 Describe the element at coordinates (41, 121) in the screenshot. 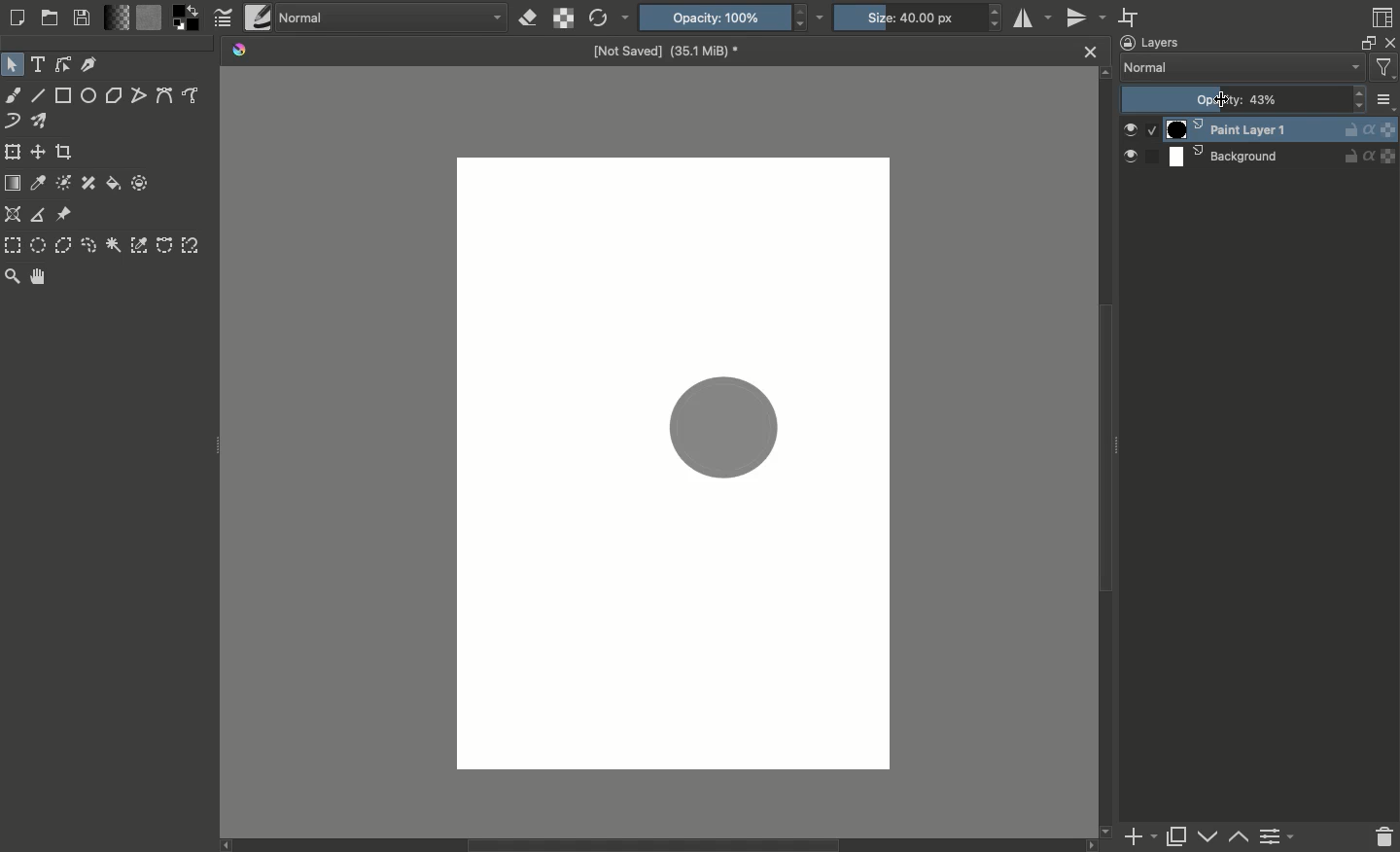

I see `Multibrush tool` at that location.